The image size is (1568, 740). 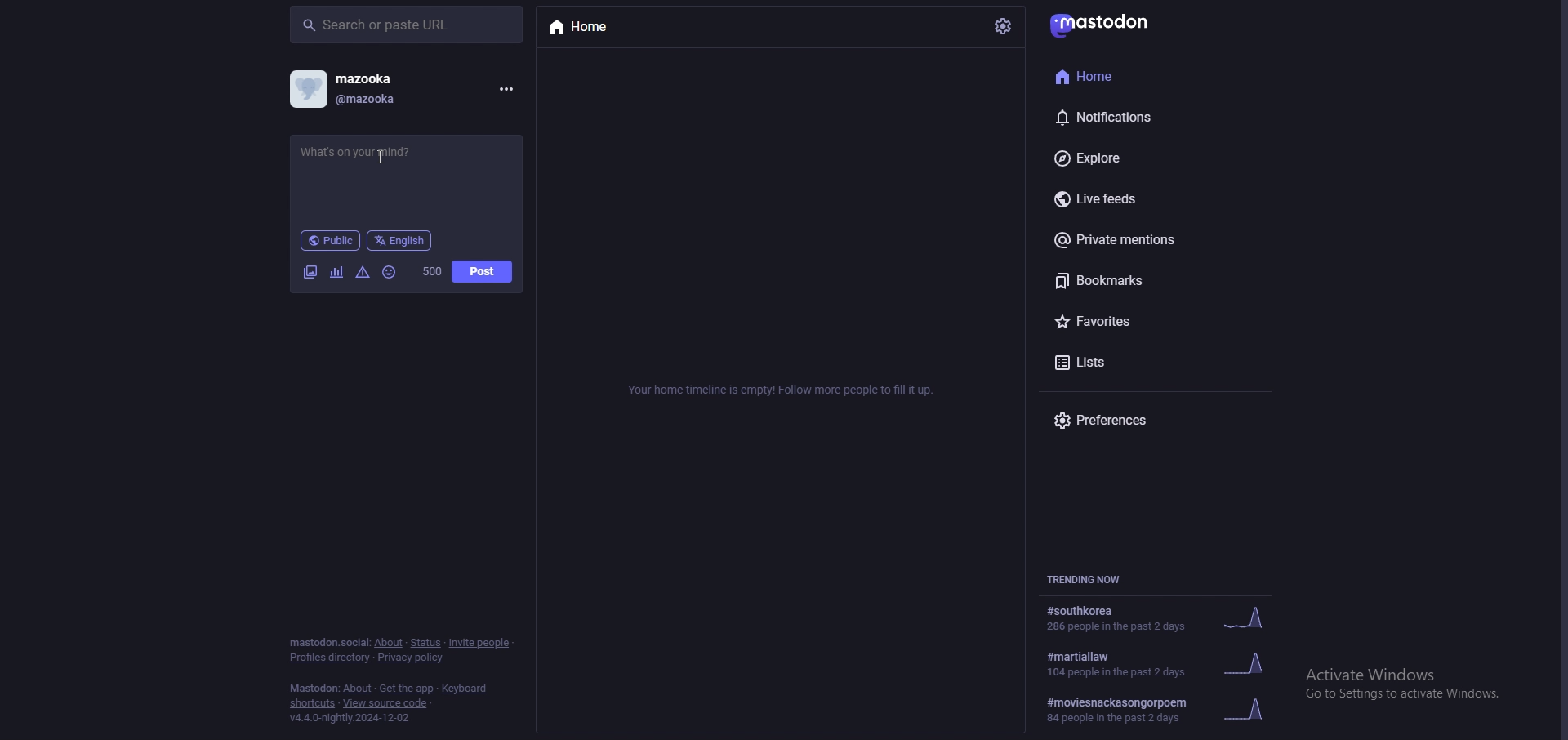 I want to click on preference, so click(x=1114, y=421).